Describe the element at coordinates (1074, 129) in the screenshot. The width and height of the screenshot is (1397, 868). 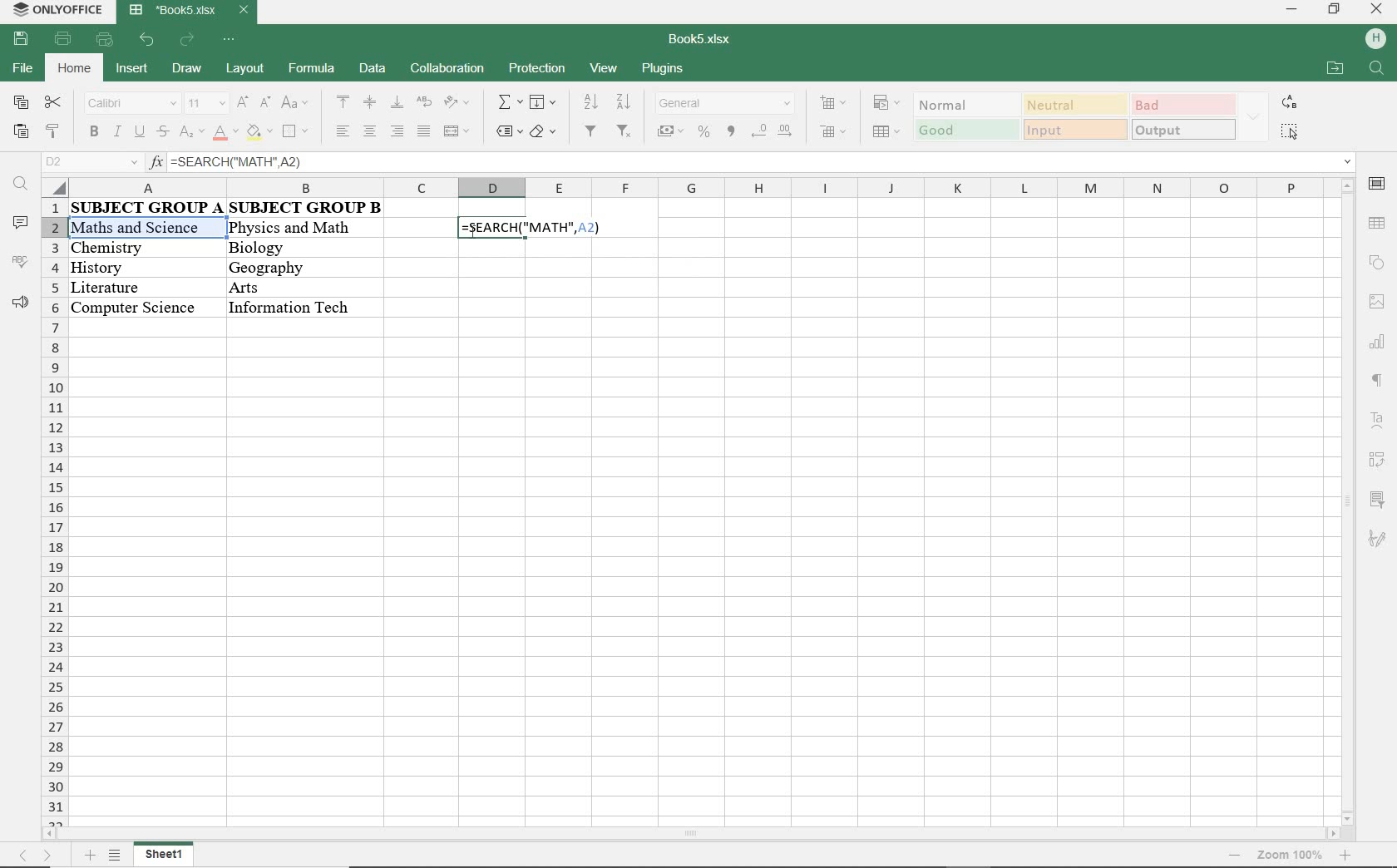
I see `input` at that location.